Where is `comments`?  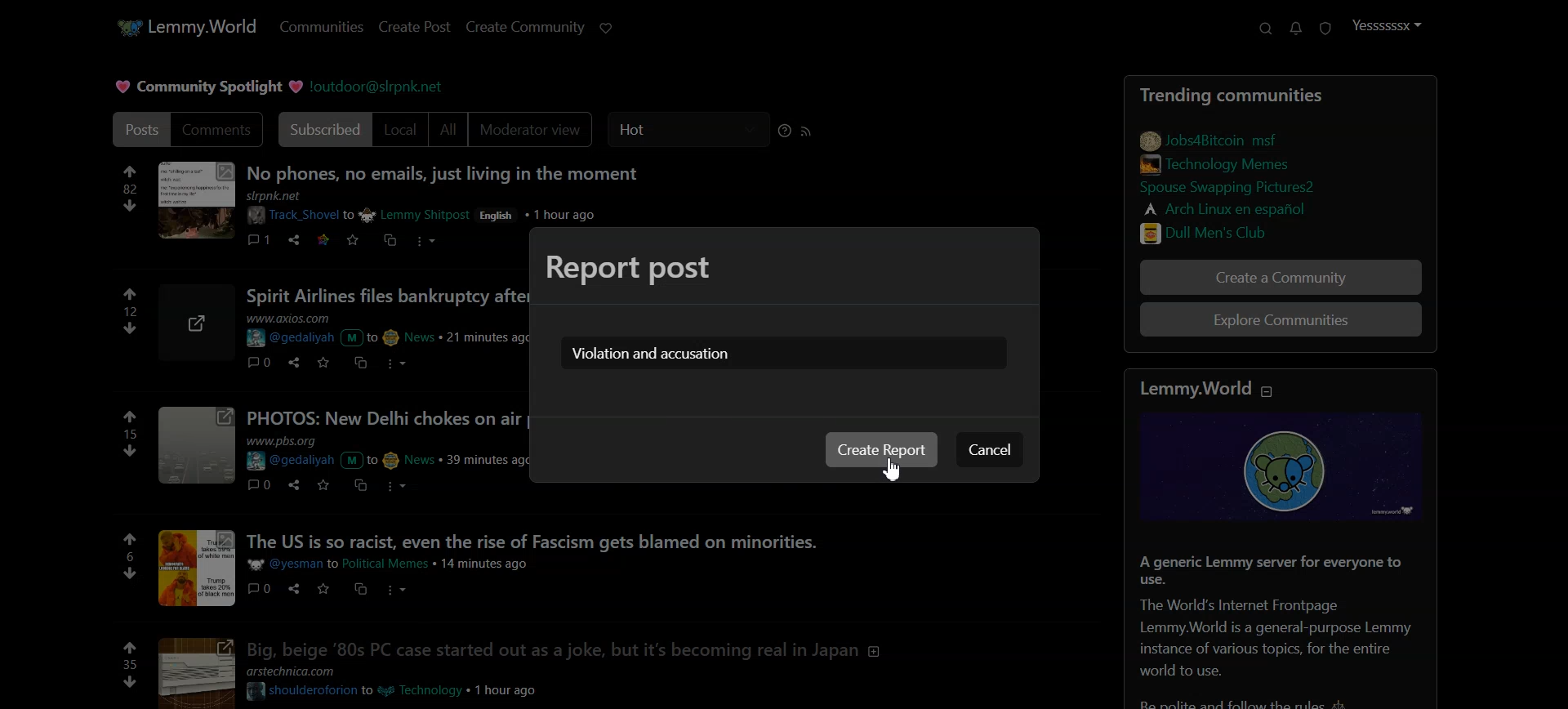 comments is located at coordinates (256, 362).